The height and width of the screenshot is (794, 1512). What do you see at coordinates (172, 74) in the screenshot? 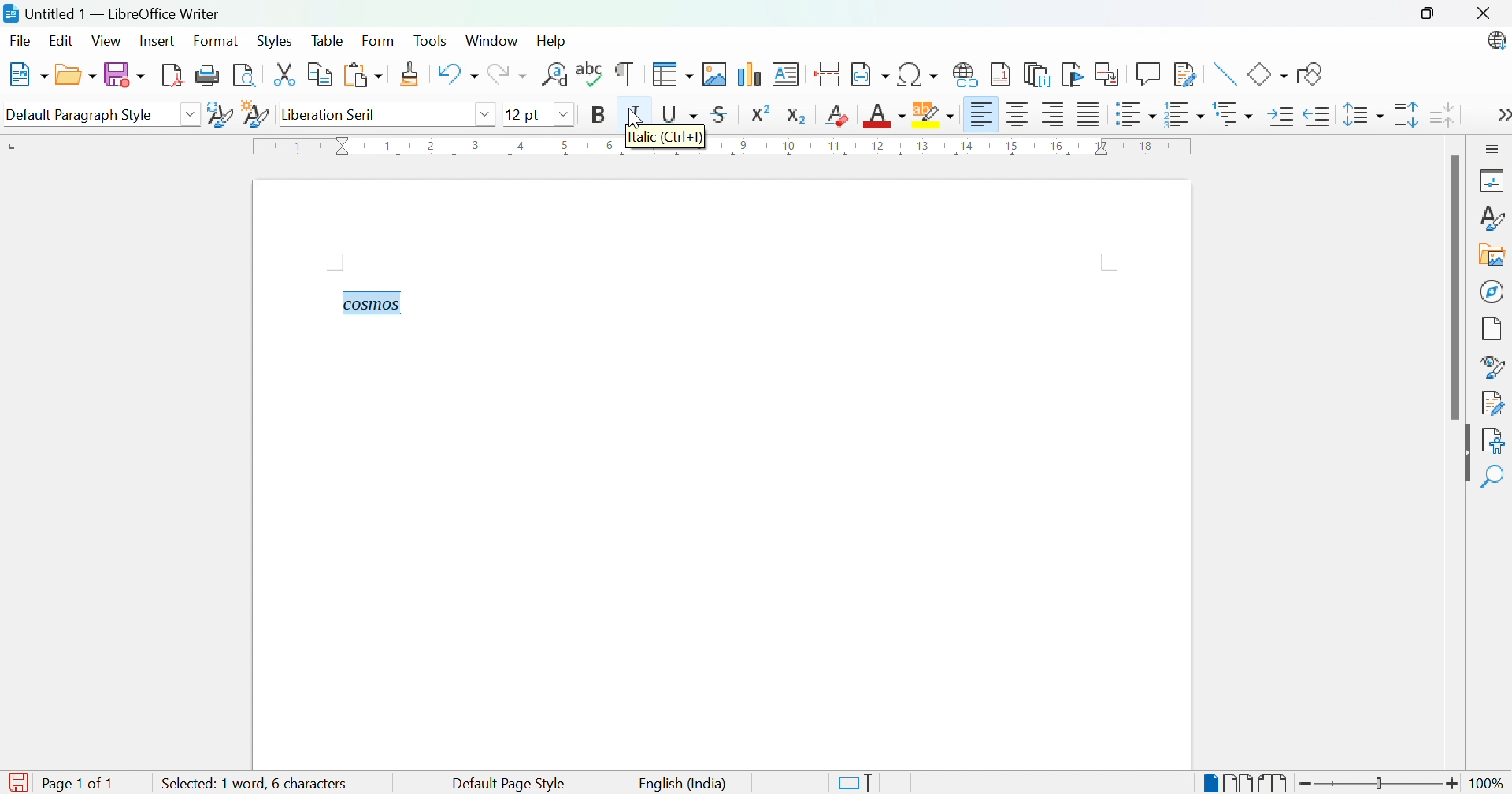
I see `Export as PDF` at bounding box center [172, 74].